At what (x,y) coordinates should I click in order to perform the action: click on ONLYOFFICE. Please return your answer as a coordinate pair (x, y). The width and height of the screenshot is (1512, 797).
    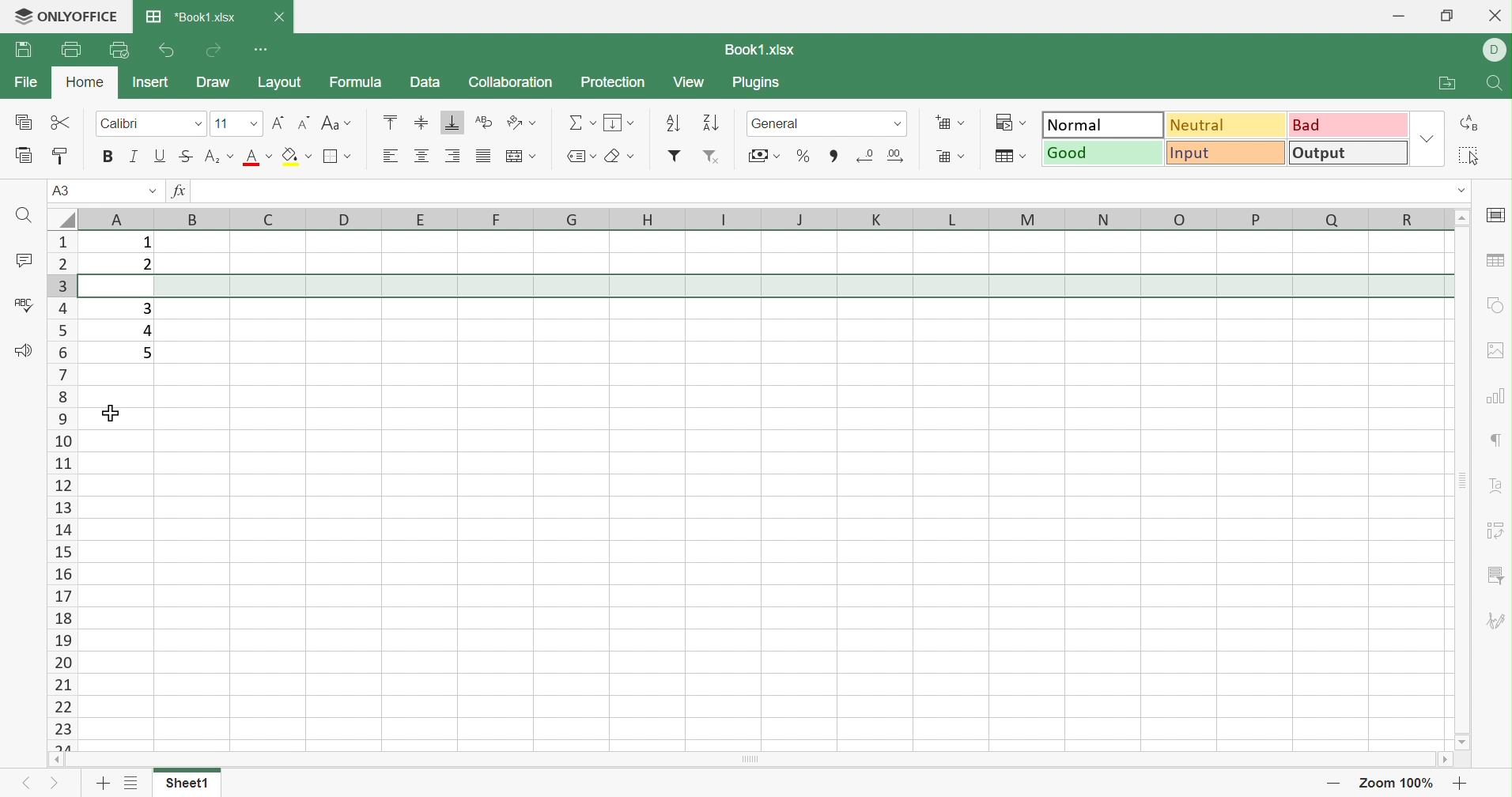
    Looking at the image, I should click on (64, 14).